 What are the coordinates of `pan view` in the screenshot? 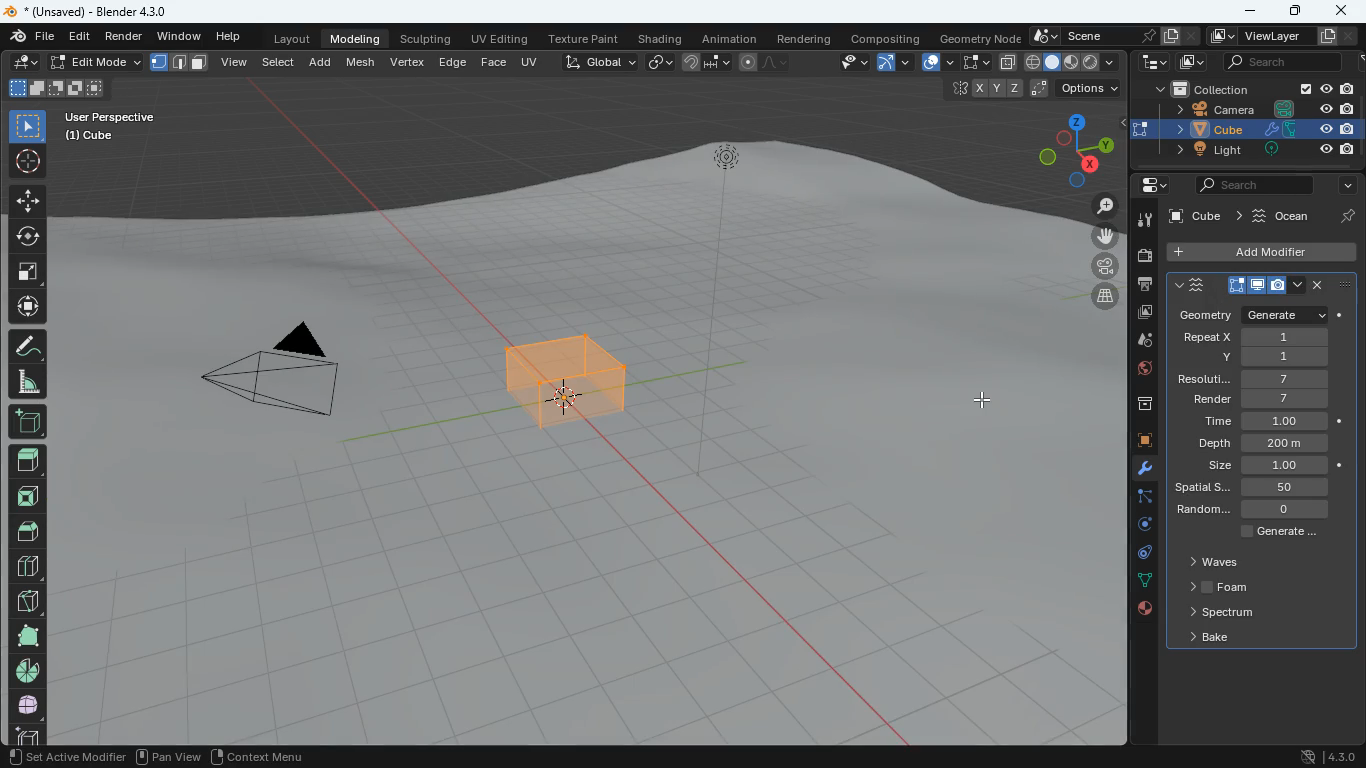 It's located at (38, 756).